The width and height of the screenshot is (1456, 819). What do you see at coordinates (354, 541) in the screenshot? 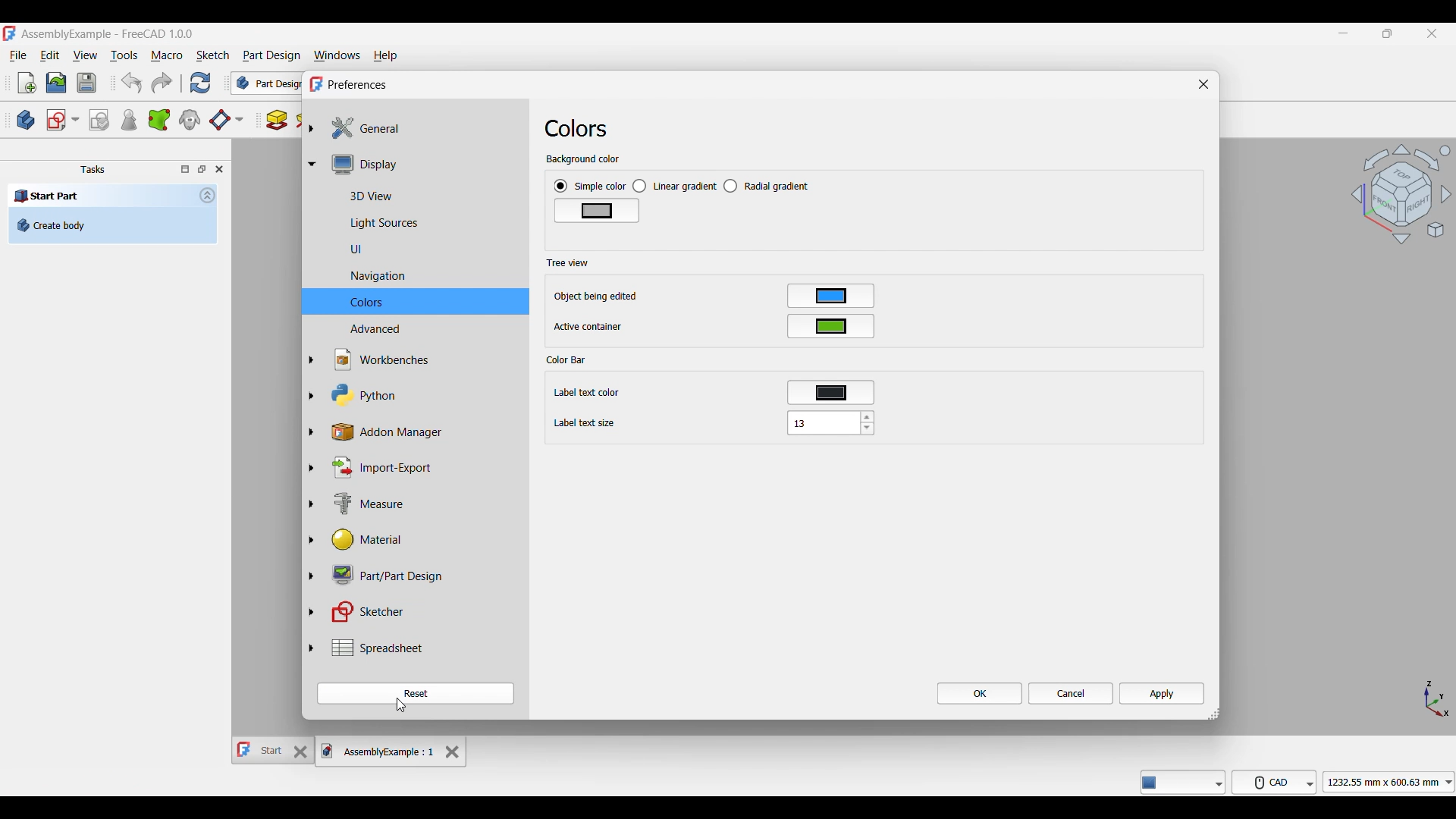
I see `Material` at bounding box center [354, 541].